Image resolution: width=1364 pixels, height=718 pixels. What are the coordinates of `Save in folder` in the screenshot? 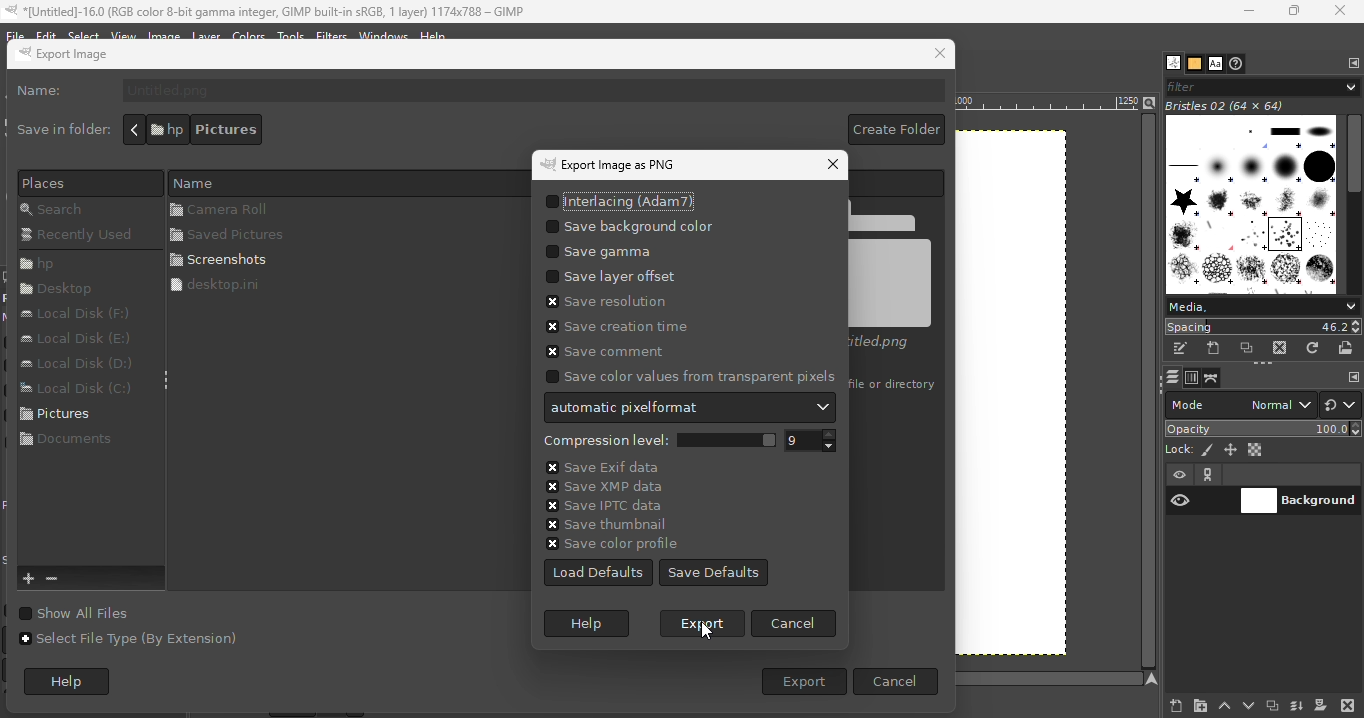 It's located at (59, 129).